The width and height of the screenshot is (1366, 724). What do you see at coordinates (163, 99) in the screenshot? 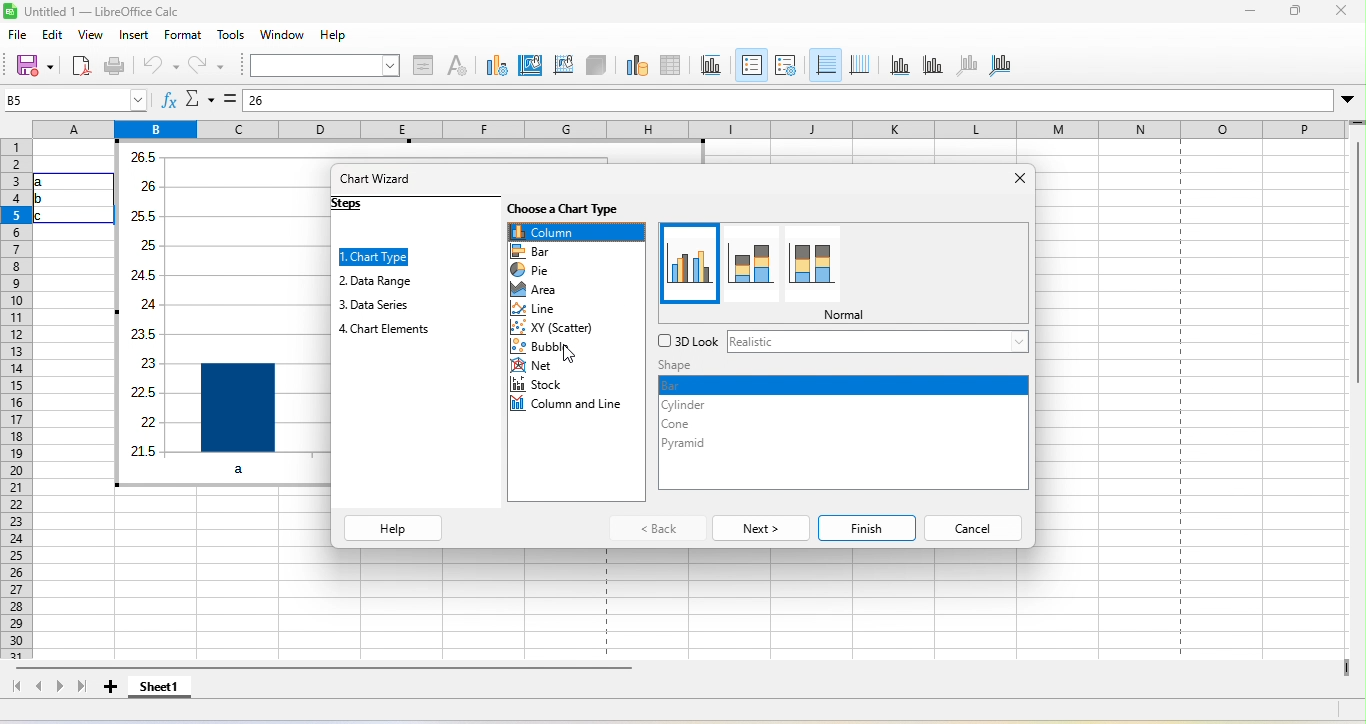
I see `function wizard` at bounding box center [163, 99].